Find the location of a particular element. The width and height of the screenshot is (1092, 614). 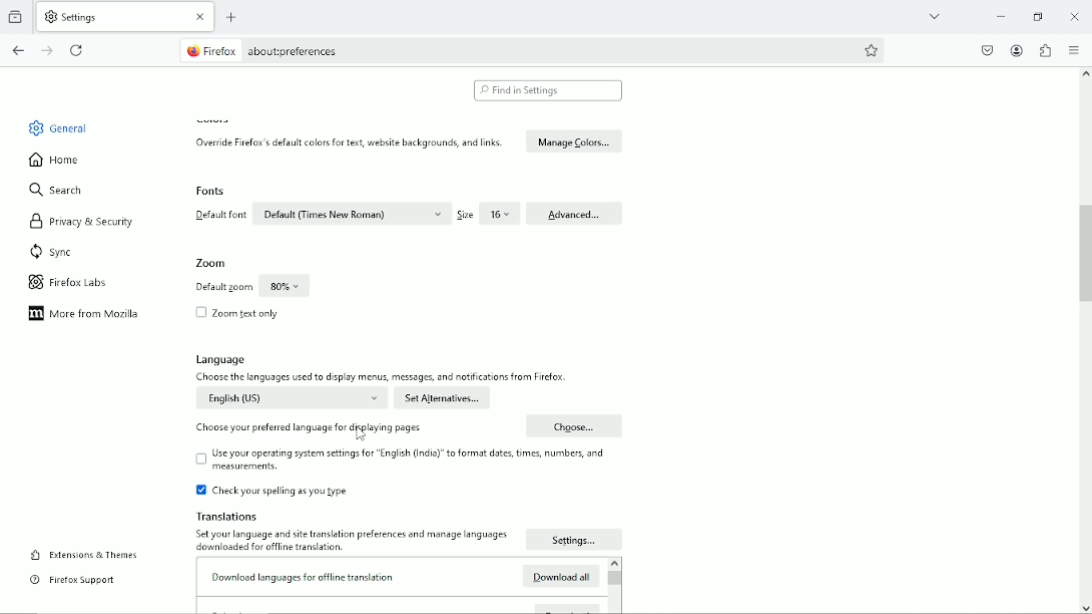

General is located at coordinates (70, 129).